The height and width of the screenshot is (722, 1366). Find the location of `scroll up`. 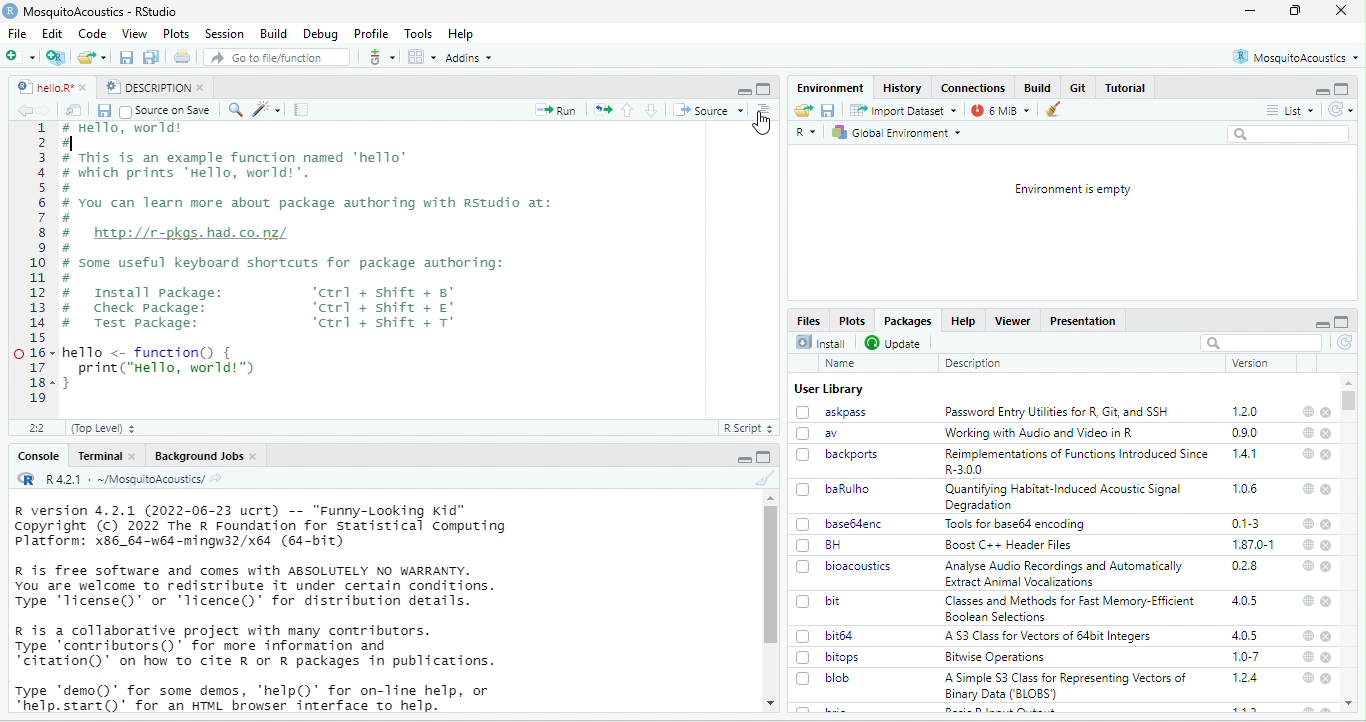

scroll up is located at coordinates (1350, 382).